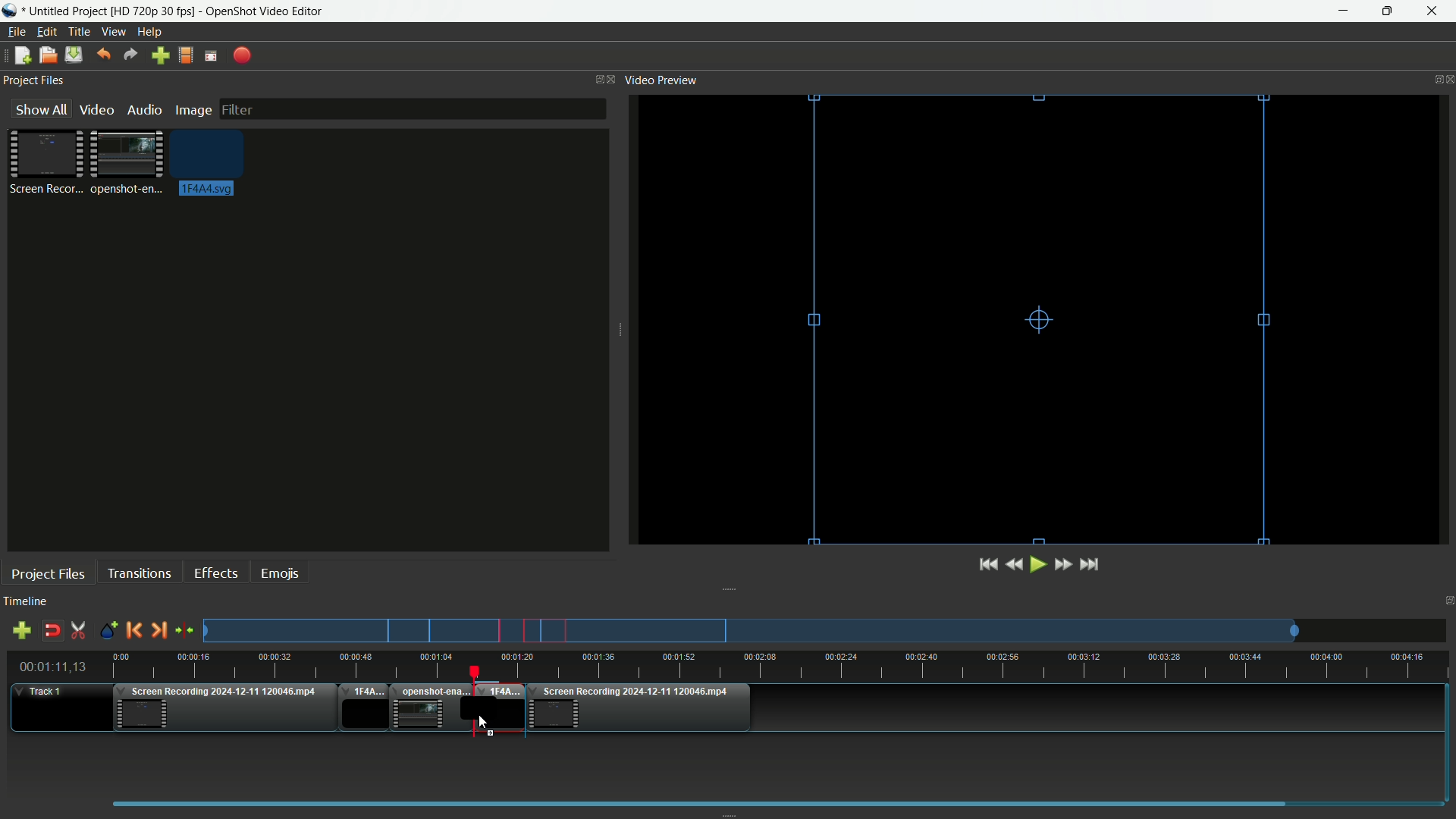 Image resolution: width=1456 pixels, height=819 pixels. Describe the element at coordinates (74, 56) in the screenshot. I see `Save file` at that location.